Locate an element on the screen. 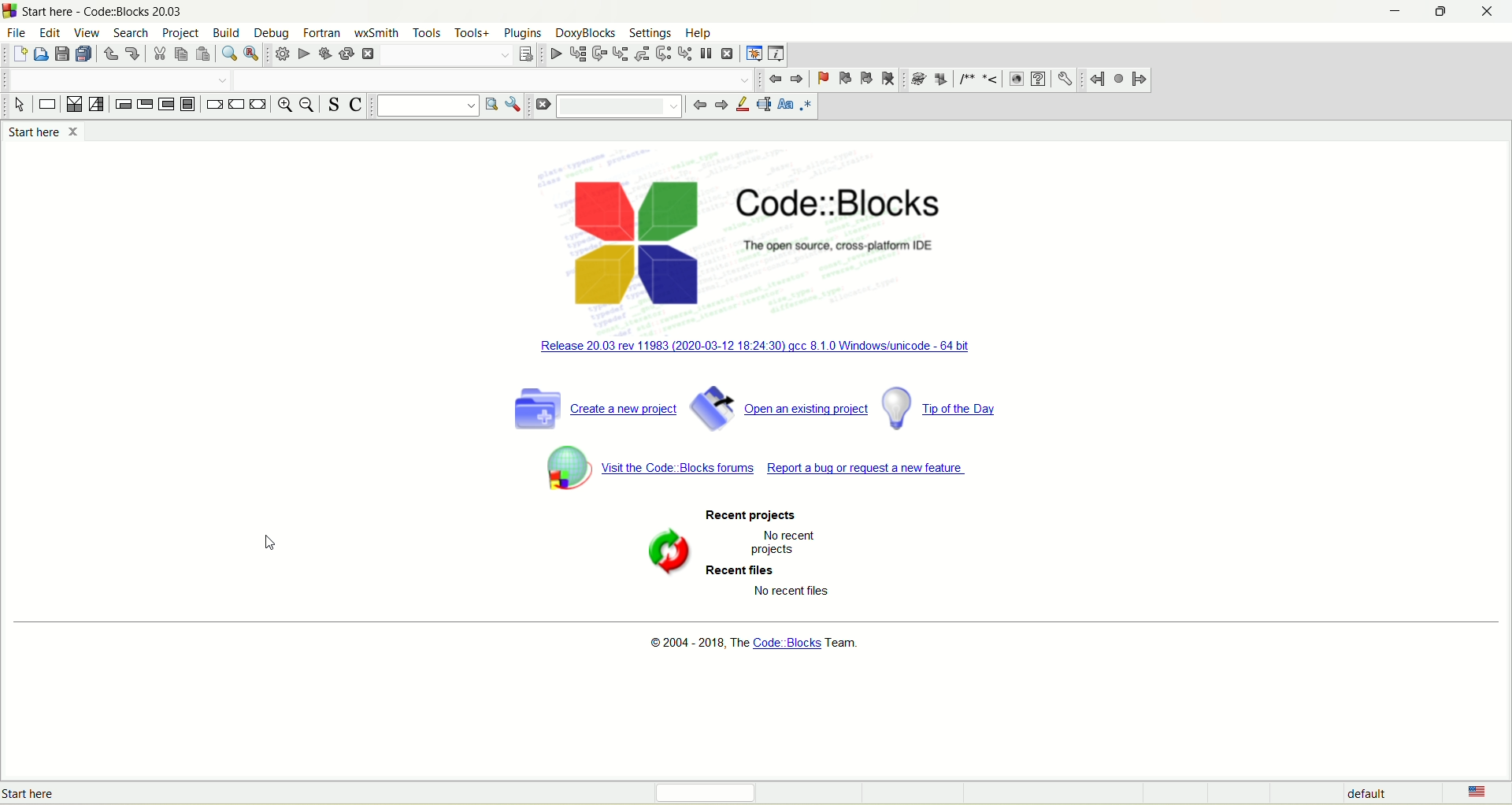 This screenshot has height=805, width=1512. toggle comment is located at coordinates (356, 105).